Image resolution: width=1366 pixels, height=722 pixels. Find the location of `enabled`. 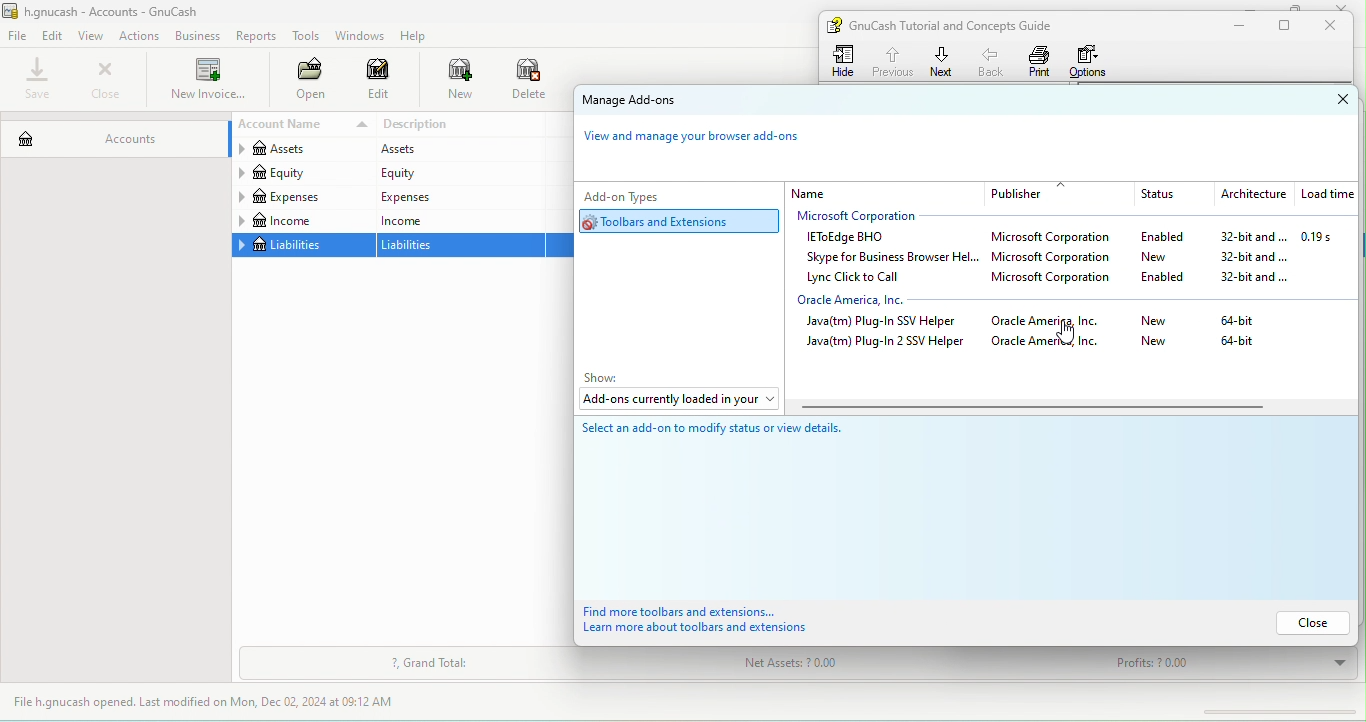

enabled is located at coordinates (1162, 238).